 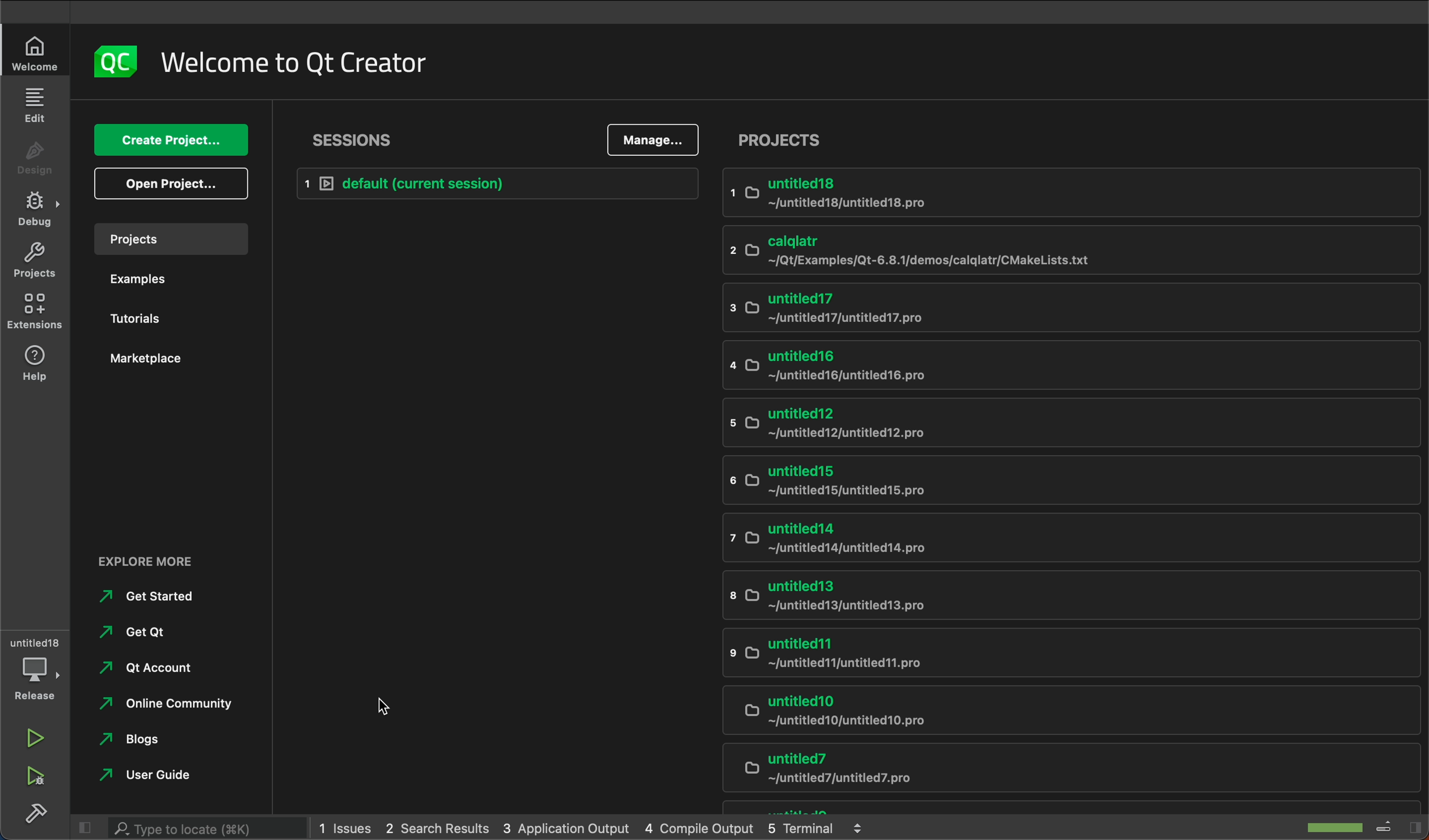 I want to click on untitled18, so click(x=995, y=196).